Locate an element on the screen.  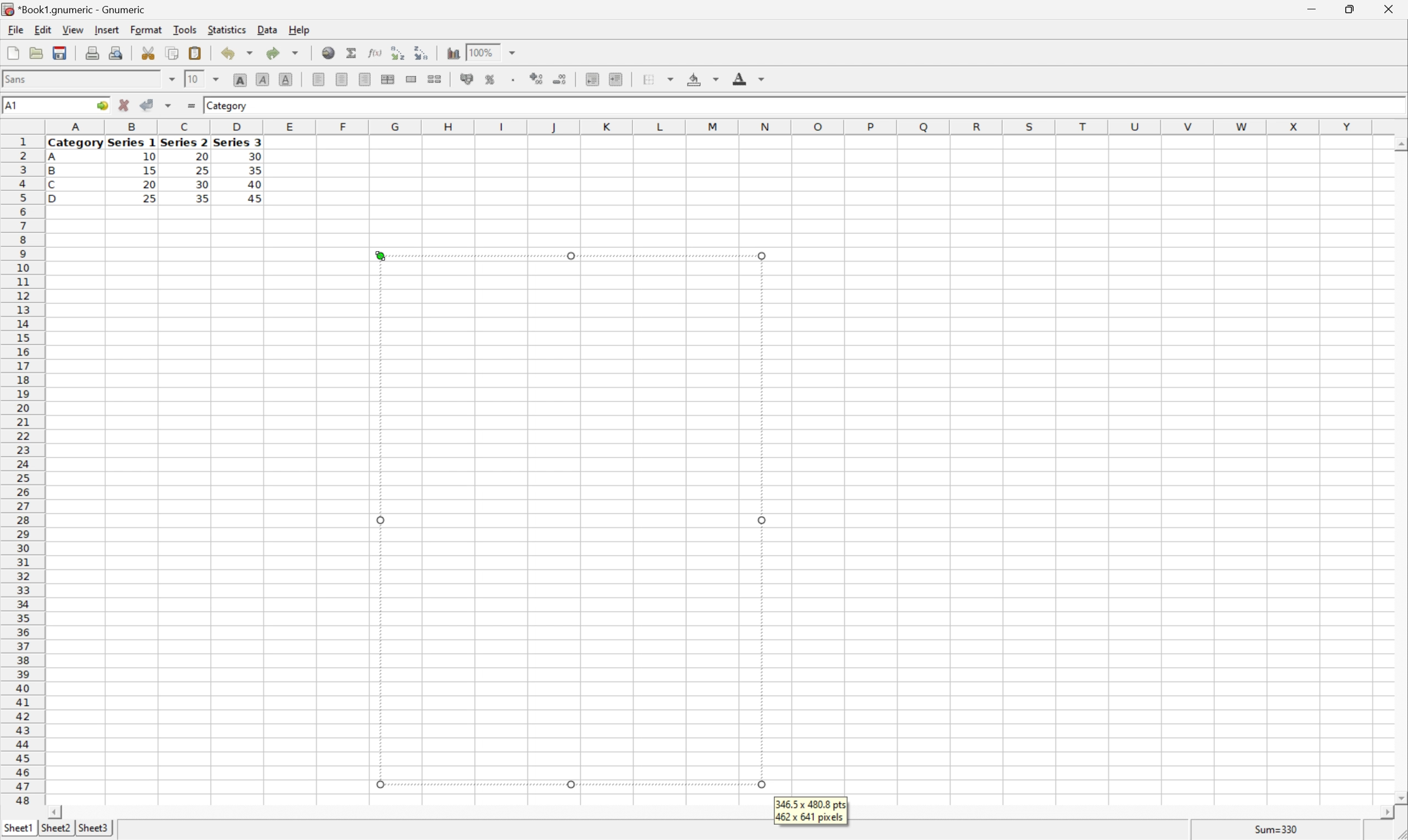
Undo is located at coordinates (238, 51).